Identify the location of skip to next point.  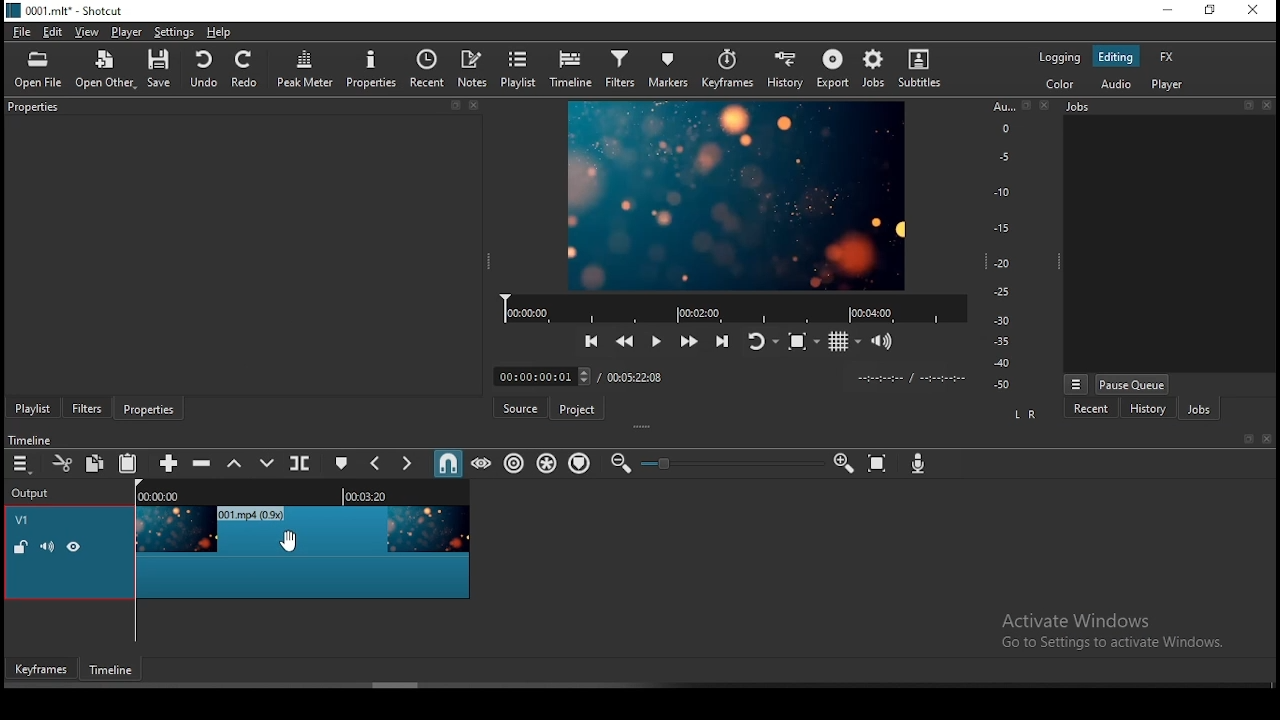
(725, 339).